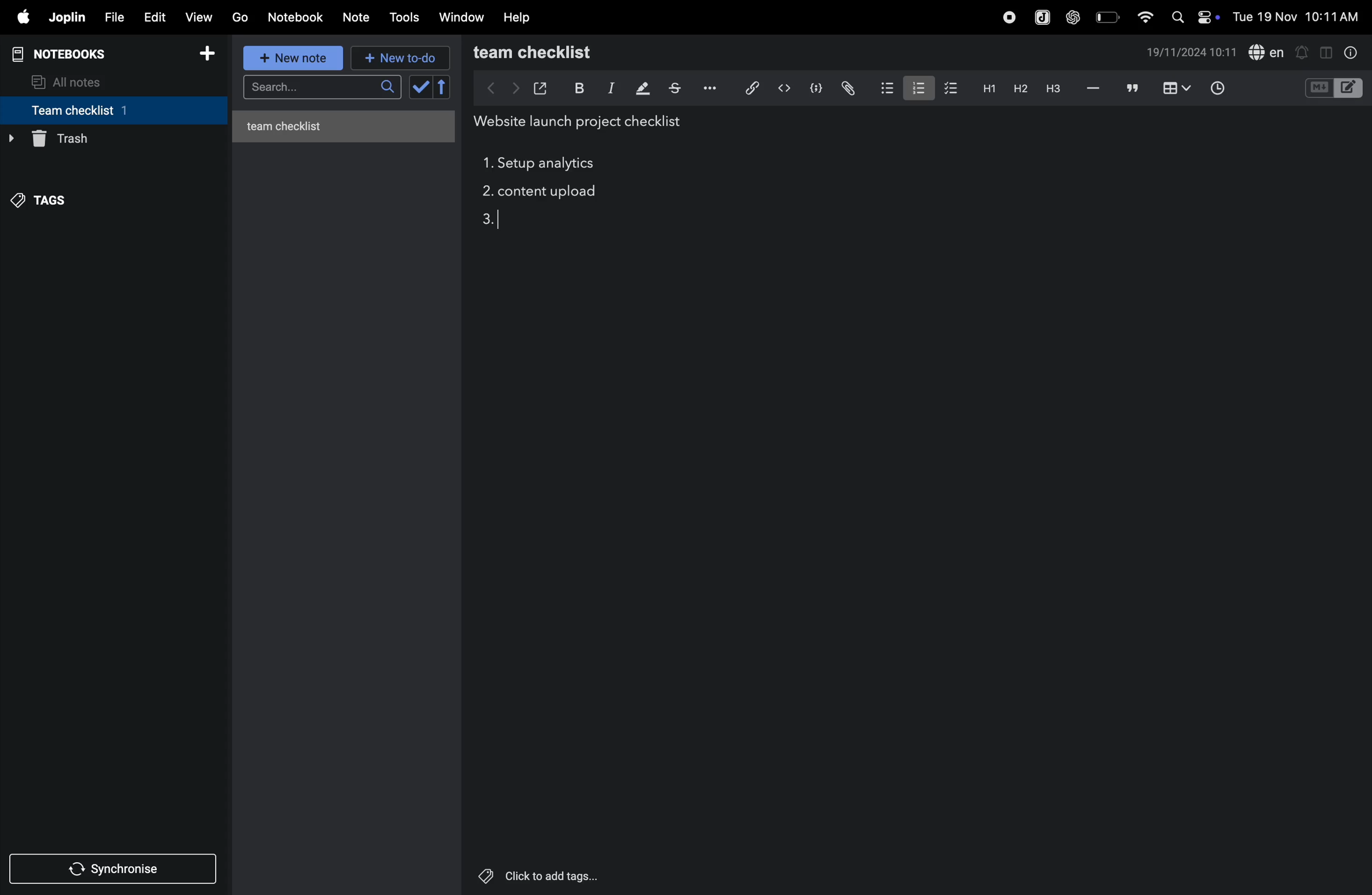  What do you see at coordinates (487, 163) in the screenshot?
I see `task 1` at bounding box center [487, 163].